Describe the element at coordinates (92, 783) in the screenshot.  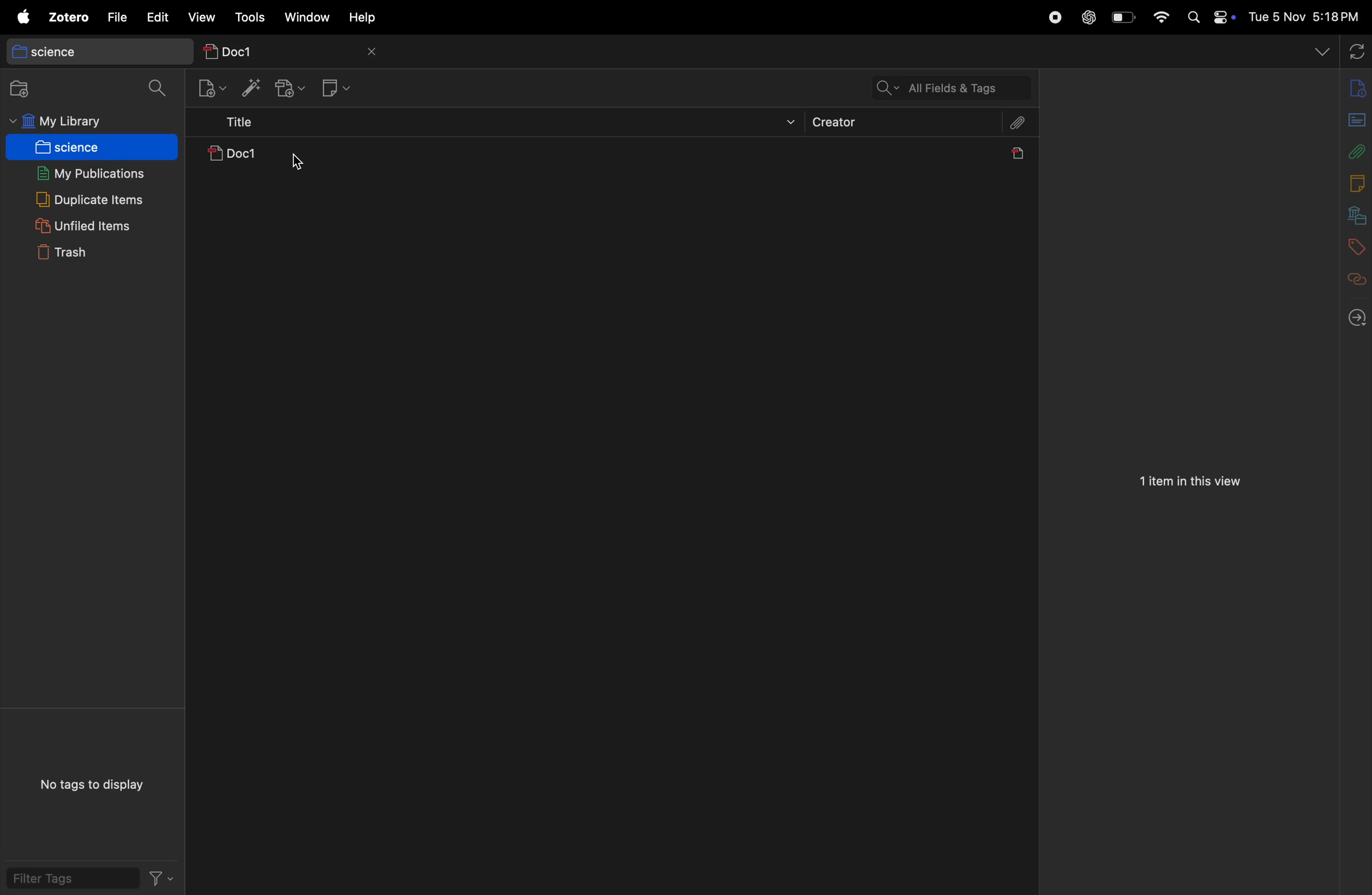
I see `no tags to display` at that location.